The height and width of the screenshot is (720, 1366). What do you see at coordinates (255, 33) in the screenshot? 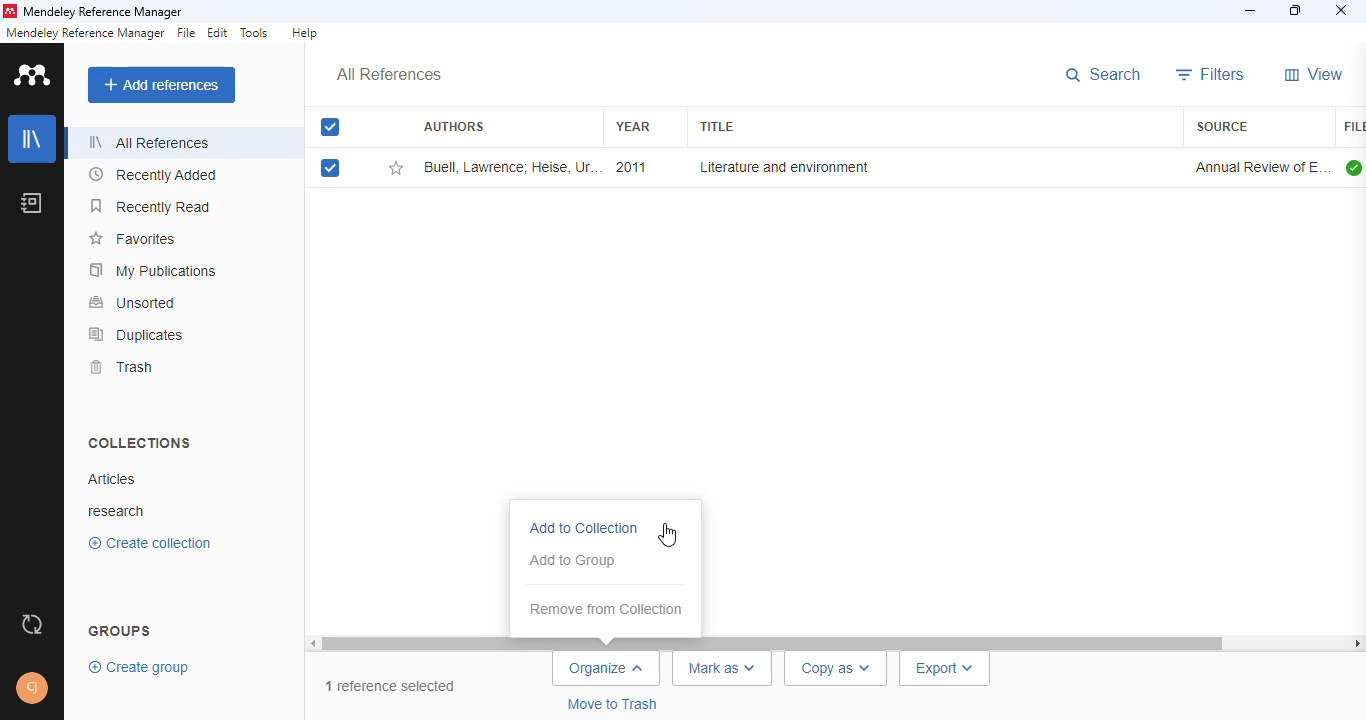
I see `tools` at bounding box center [255, 33].